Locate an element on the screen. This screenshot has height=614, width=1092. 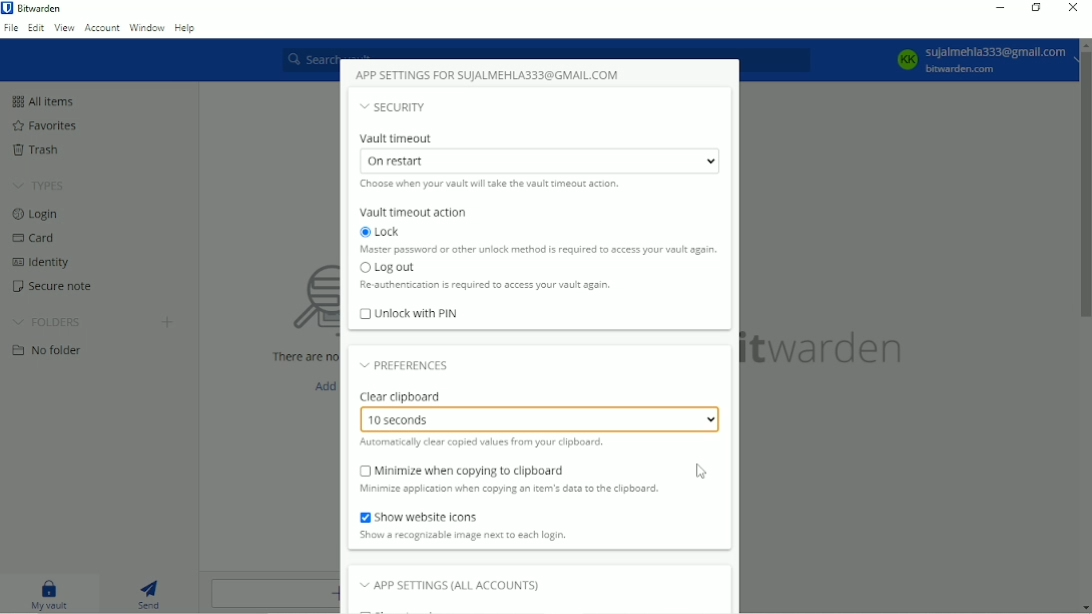
J) Minimize when copying to clipboard [33
Minimize application when copying an fem's data to the clipboard. is located at coordinates (530, 483).